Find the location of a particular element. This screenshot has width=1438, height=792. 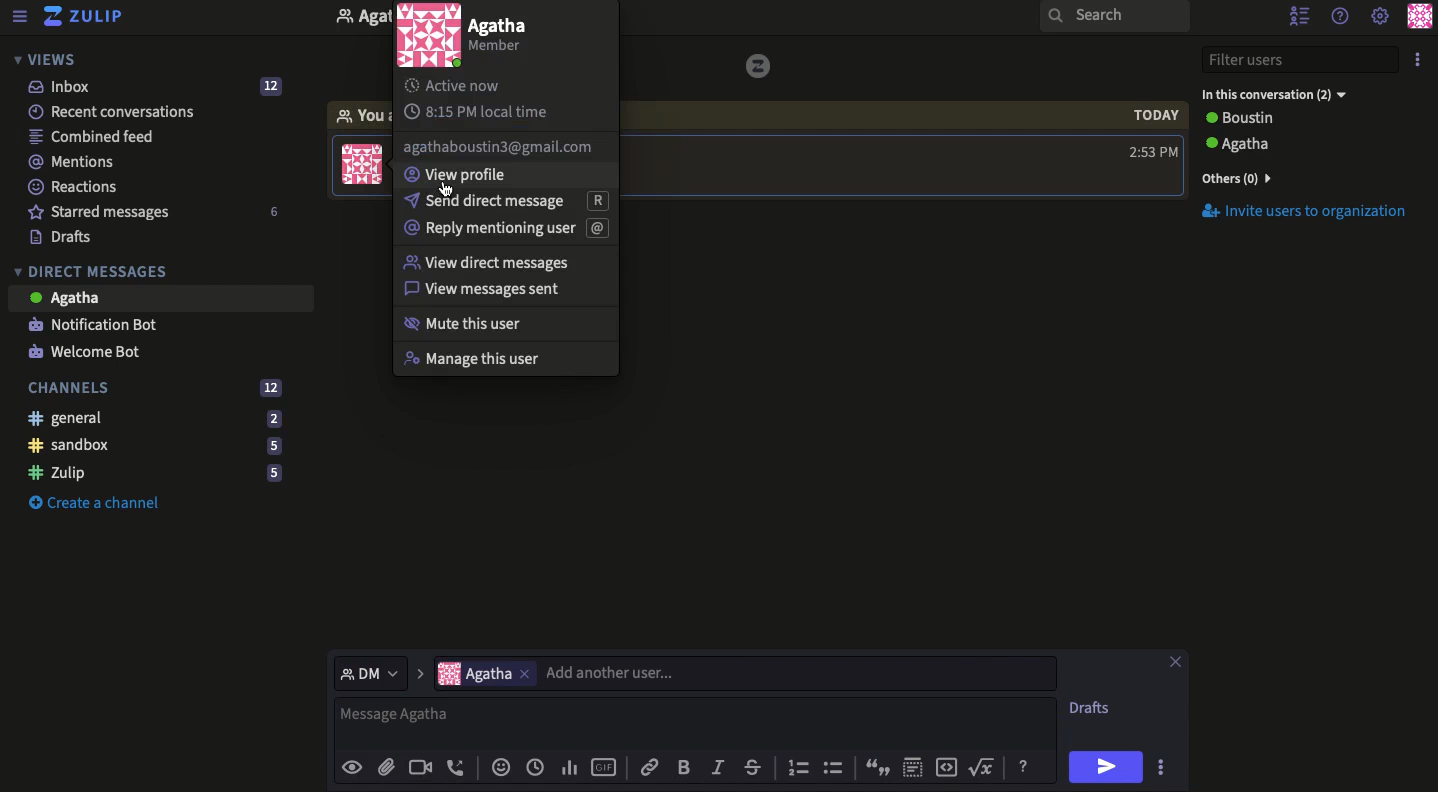

Create a channel is located at coordinates (100, 502).